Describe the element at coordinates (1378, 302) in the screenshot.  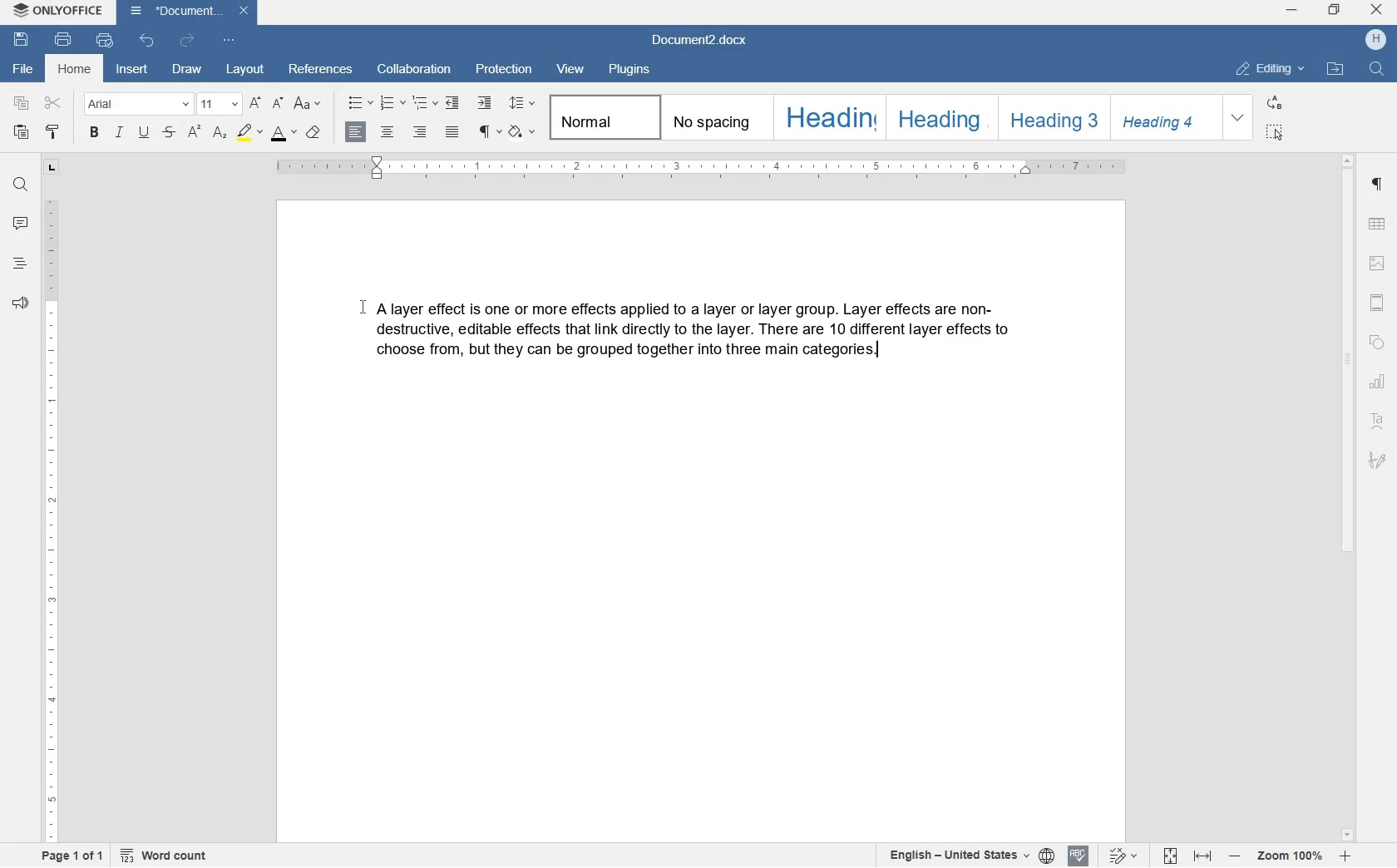
I see `headers & footers` at that location.